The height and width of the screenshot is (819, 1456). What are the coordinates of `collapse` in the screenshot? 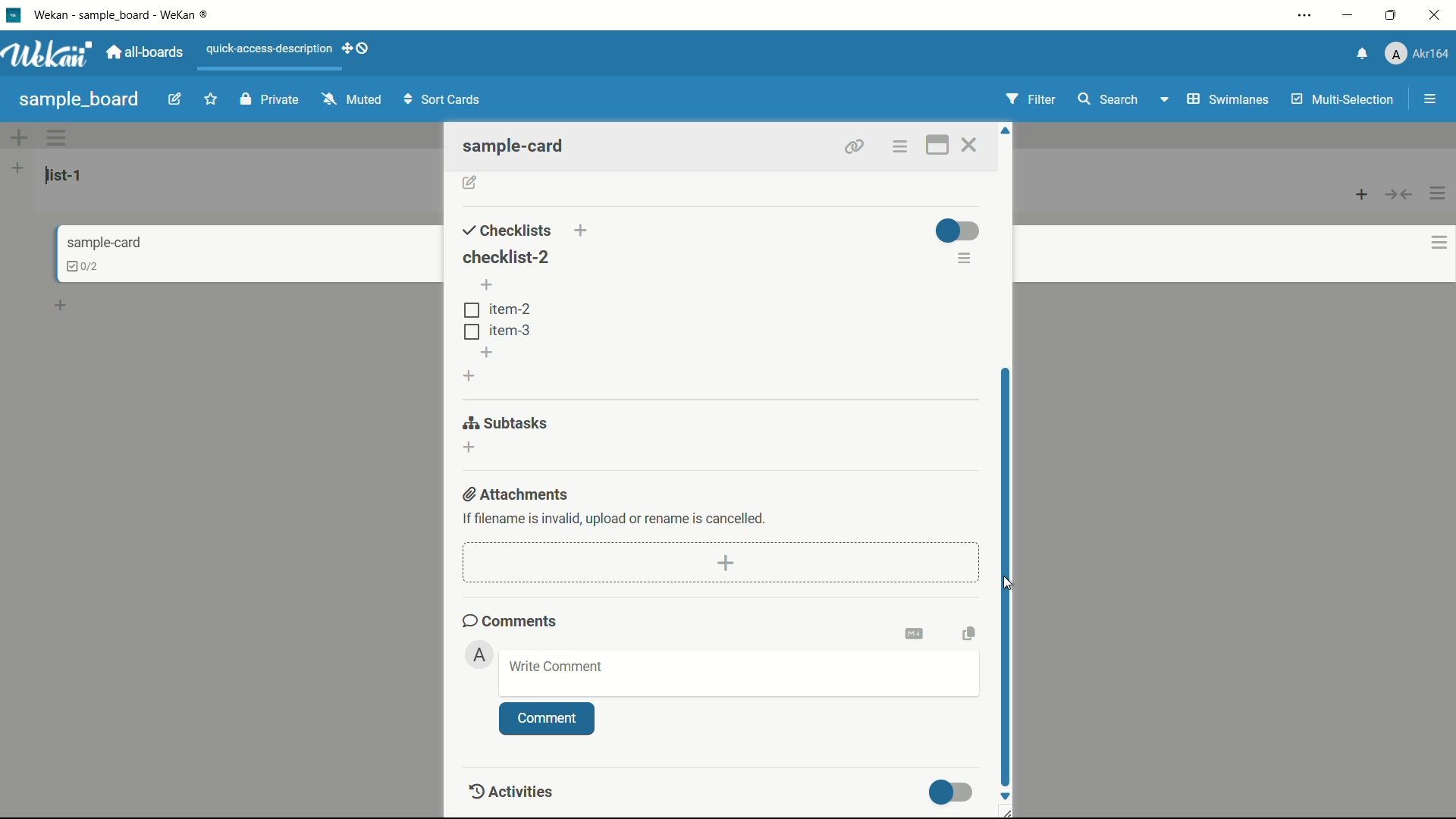 It's located at (1400, 196).